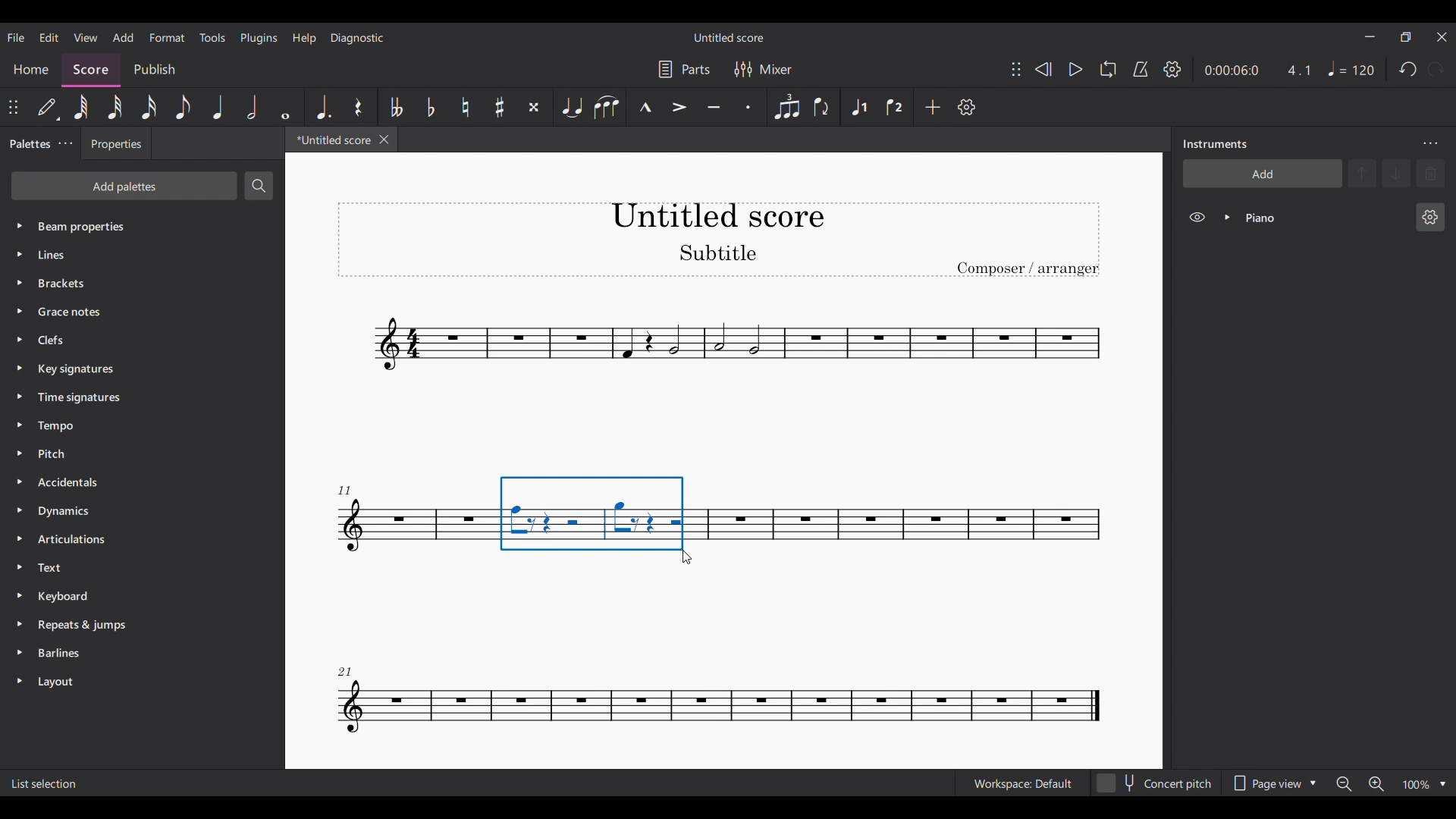 This screenshot has height=819, width=1456. Describe the element at coordinates (31, 69) in the screenshot. I see `Home section` at that location.